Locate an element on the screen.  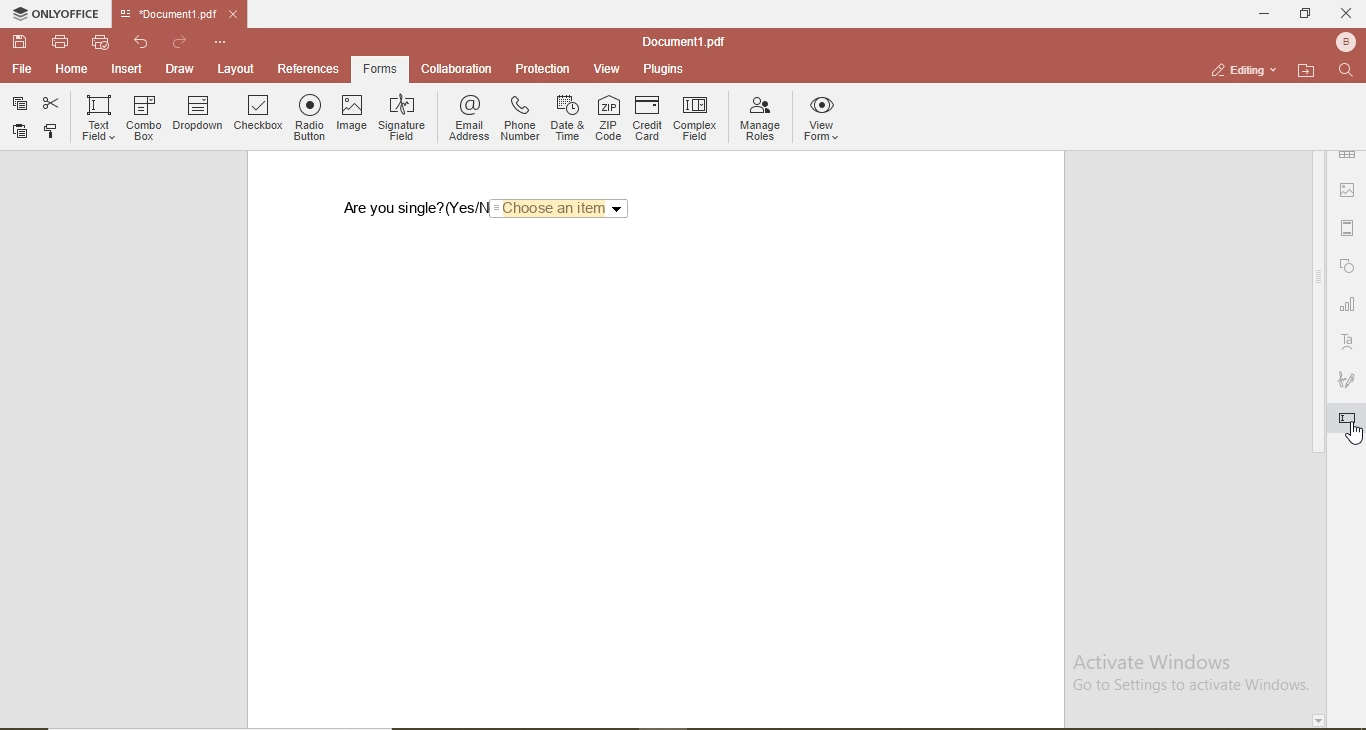
dropdown is located at coordinates (561, 207).